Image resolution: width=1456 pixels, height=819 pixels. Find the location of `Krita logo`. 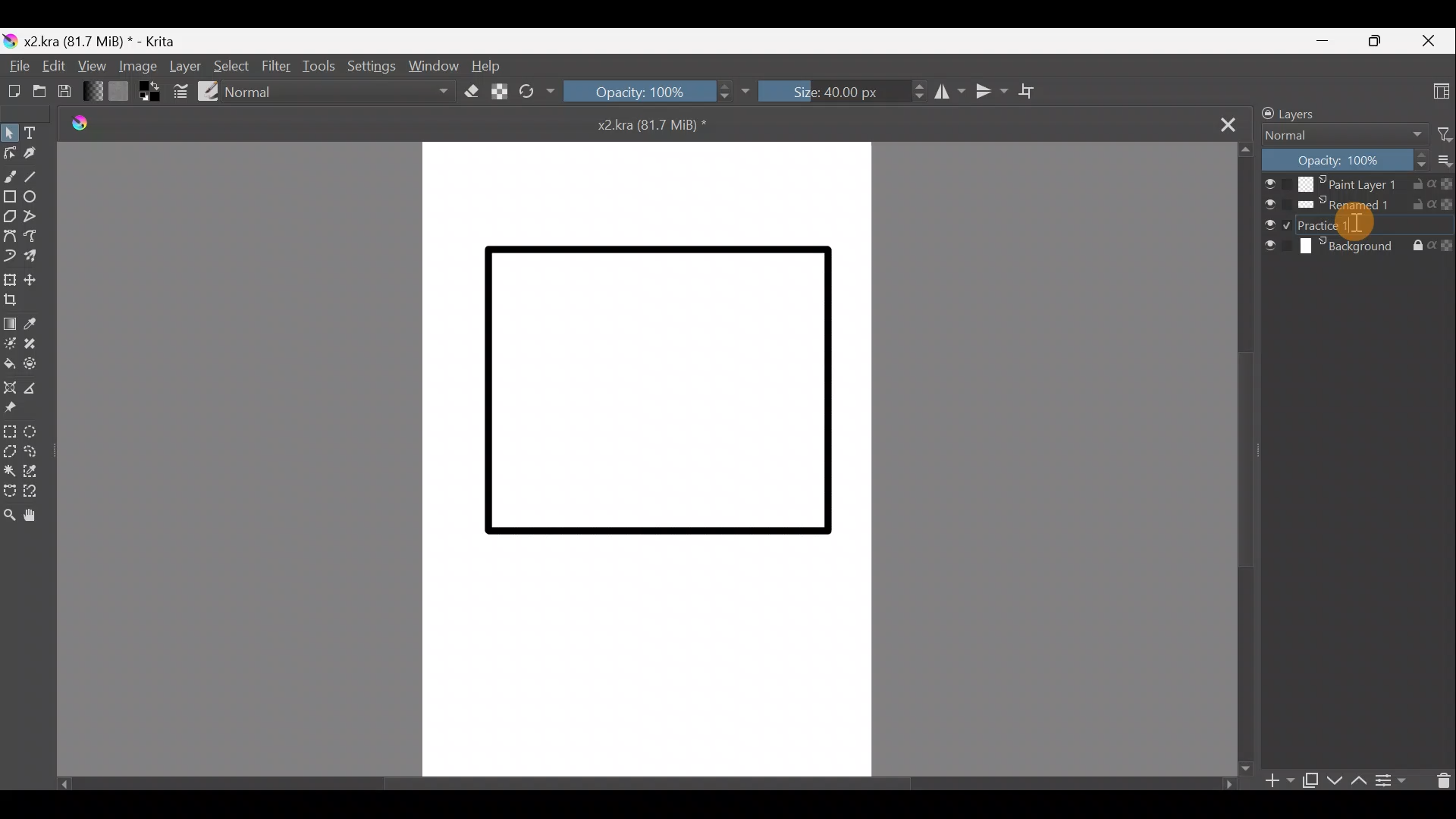

Krita logo is located at coordinates (84, 122).